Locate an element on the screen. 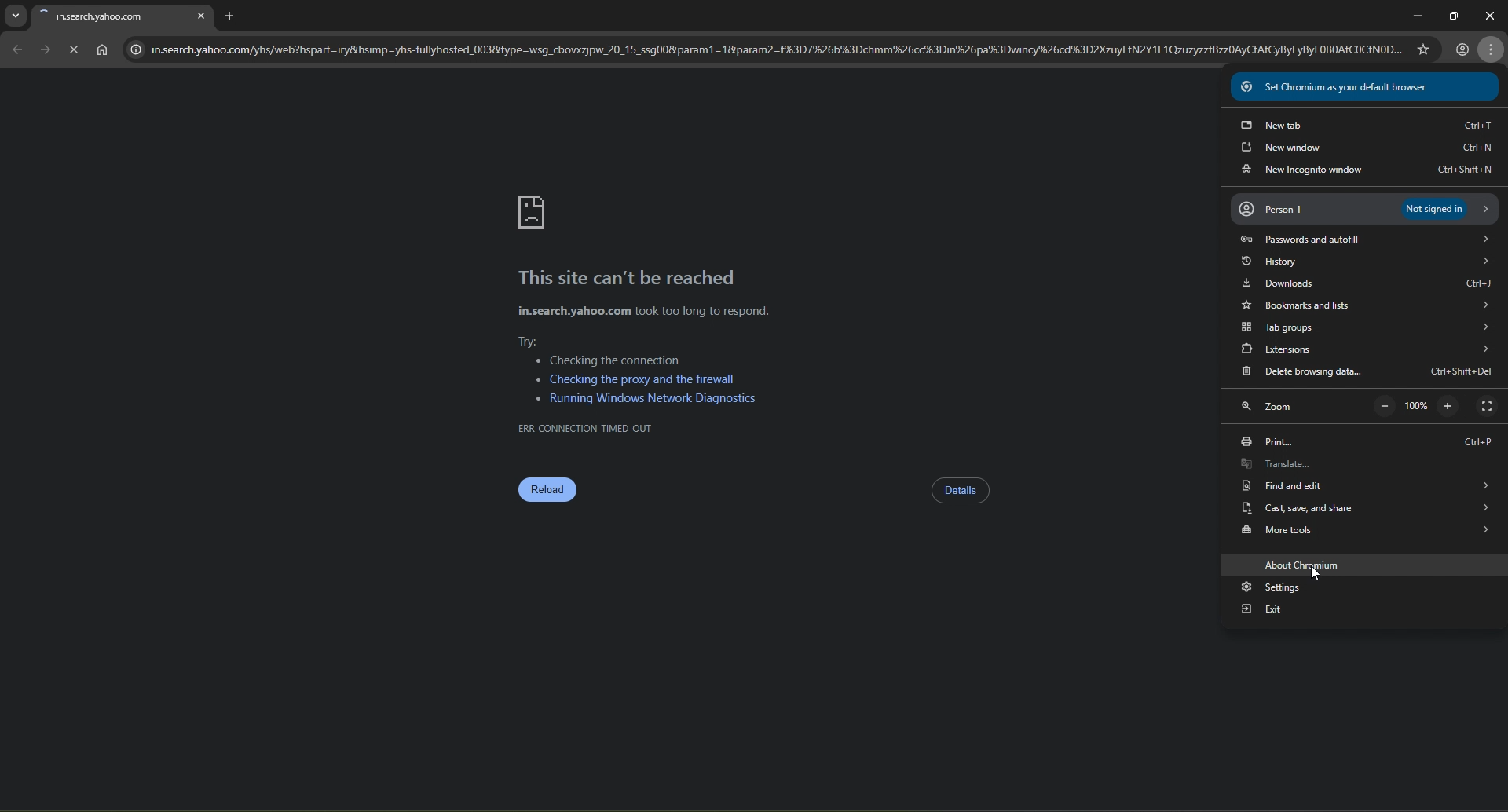 The height and width of the screenshot is (812, 1508). checking the connection is located at coordinates (609, 360).